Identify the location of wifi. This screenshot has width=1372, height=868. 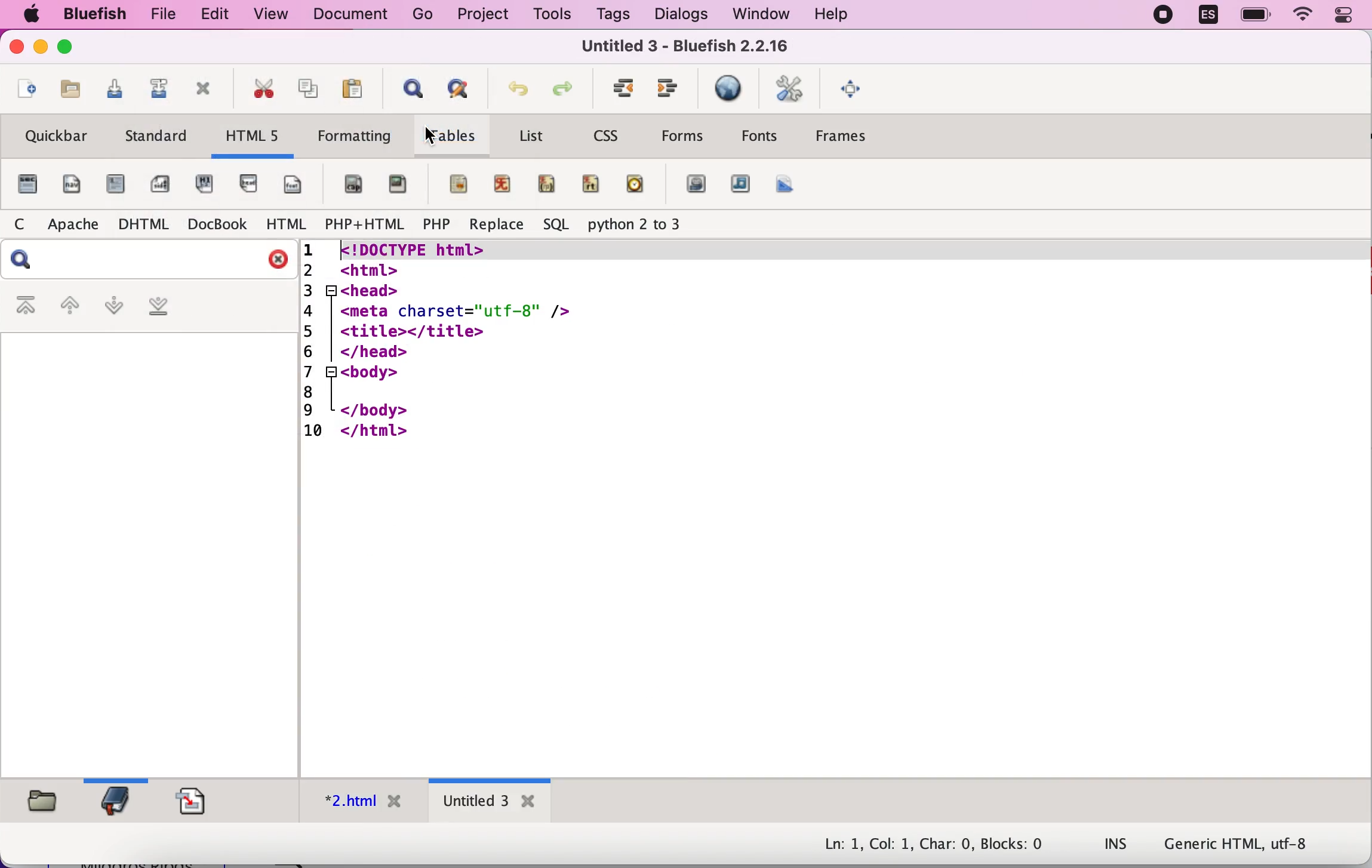
(1305, 17).